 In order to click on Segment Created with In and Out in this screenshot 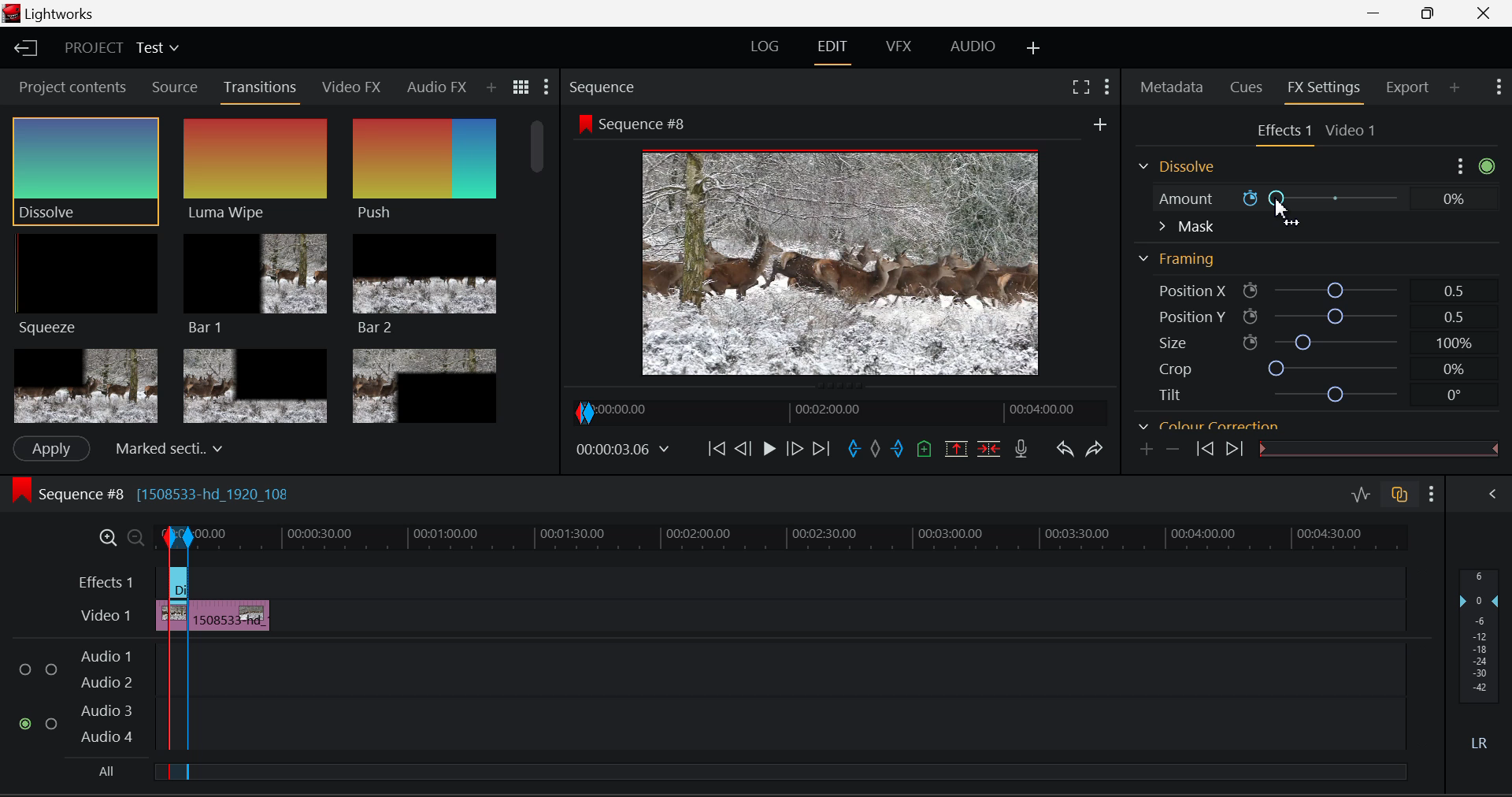, I will do `click(175, 703)`.